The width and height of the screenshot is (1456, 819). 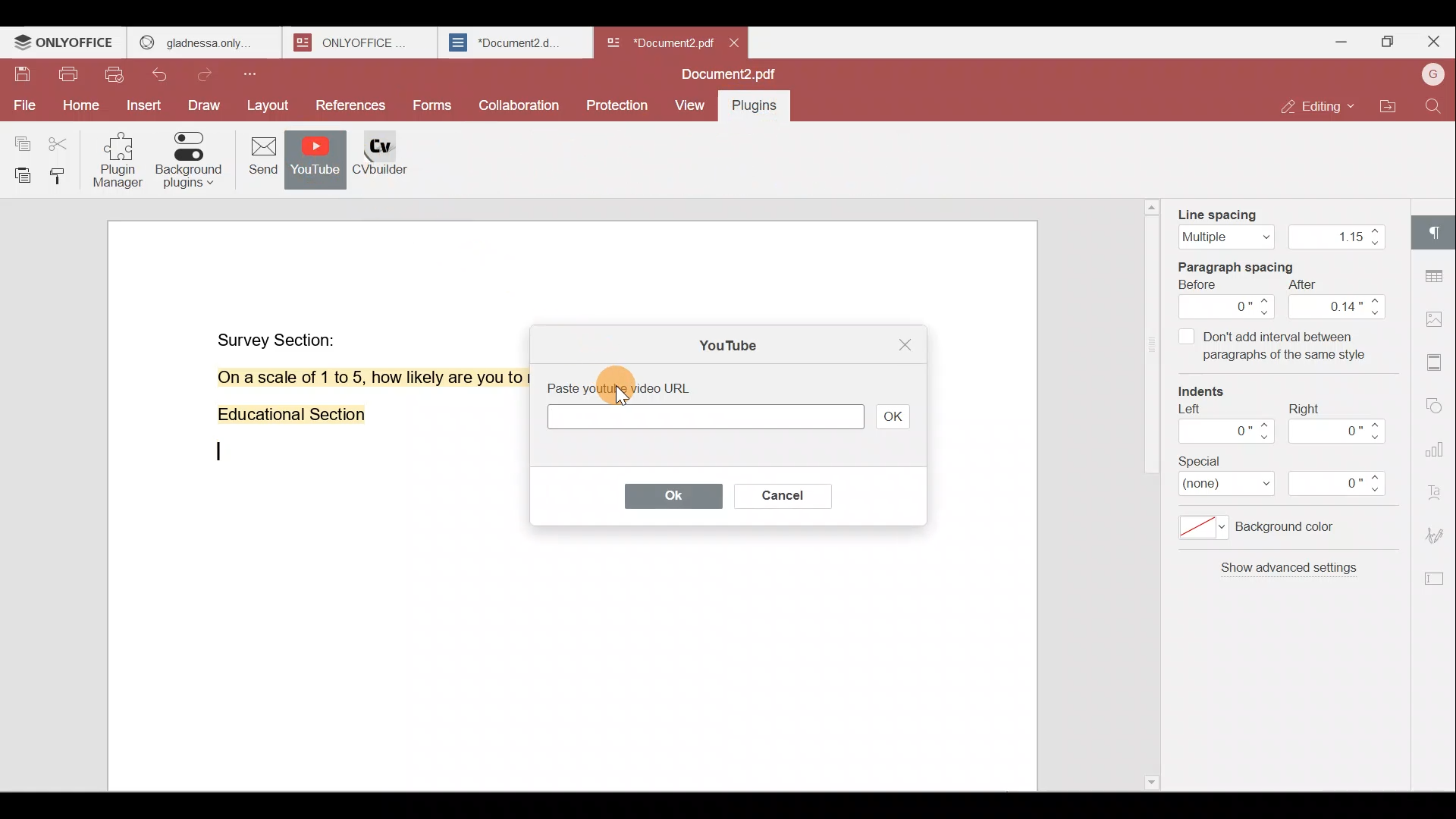 What do you see at coordinates (1338, 300) in the screenshot?
I see `After` at bounding box center [1338, 300].